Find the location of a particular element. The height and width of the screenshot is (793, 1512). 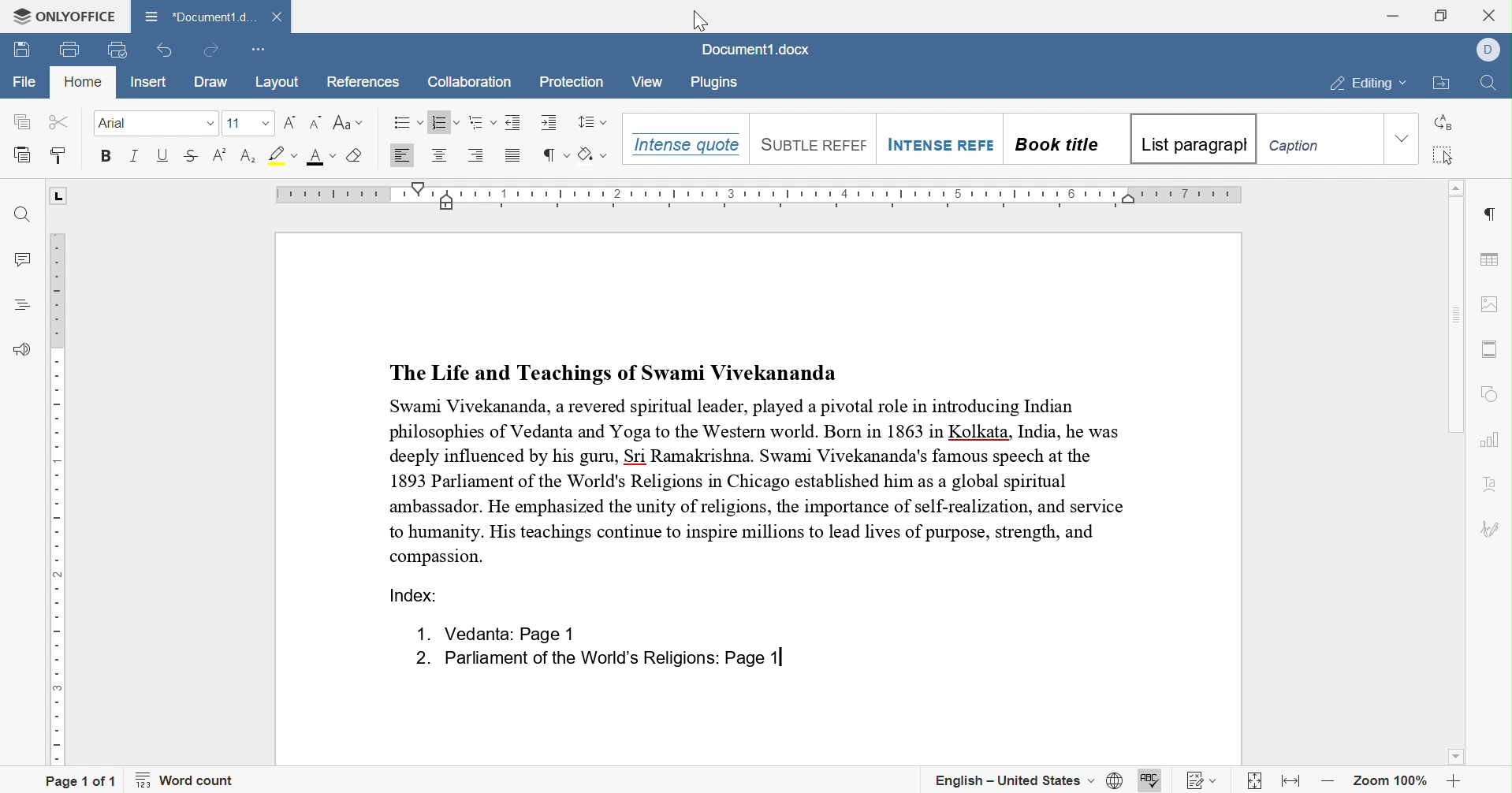

references is located at coordinates (362, 83).